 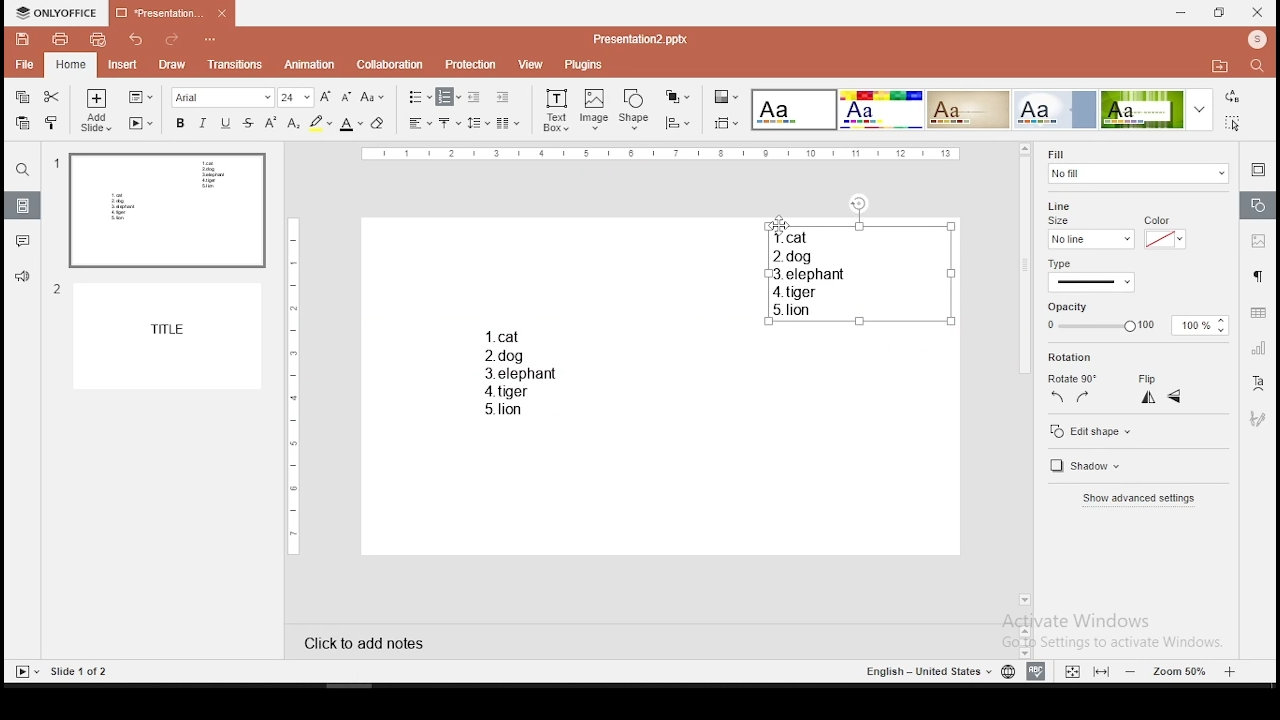 I want to click on copy, so click(x=23, y=97).